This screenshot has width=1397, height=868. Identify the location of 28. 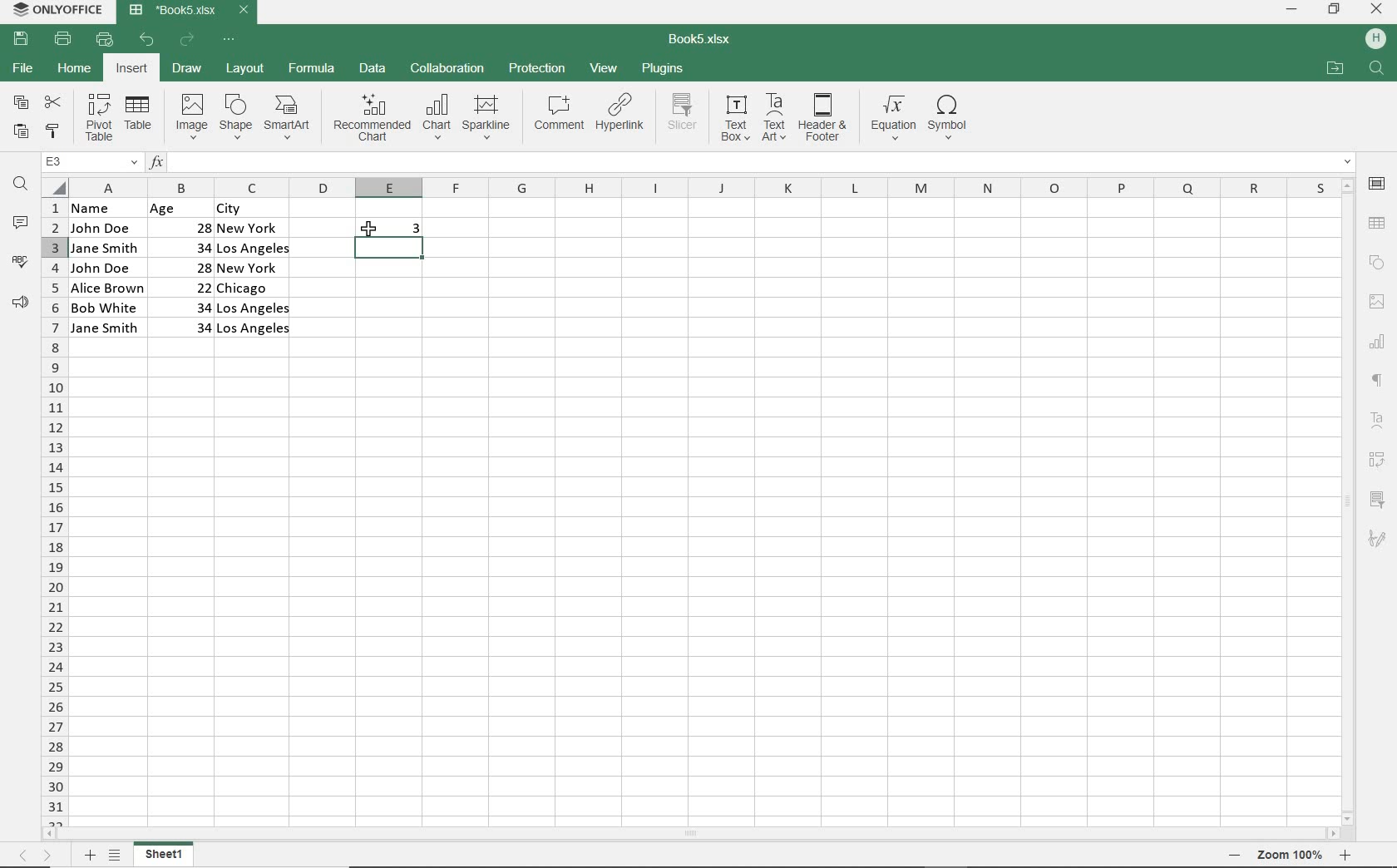
(194, 226).